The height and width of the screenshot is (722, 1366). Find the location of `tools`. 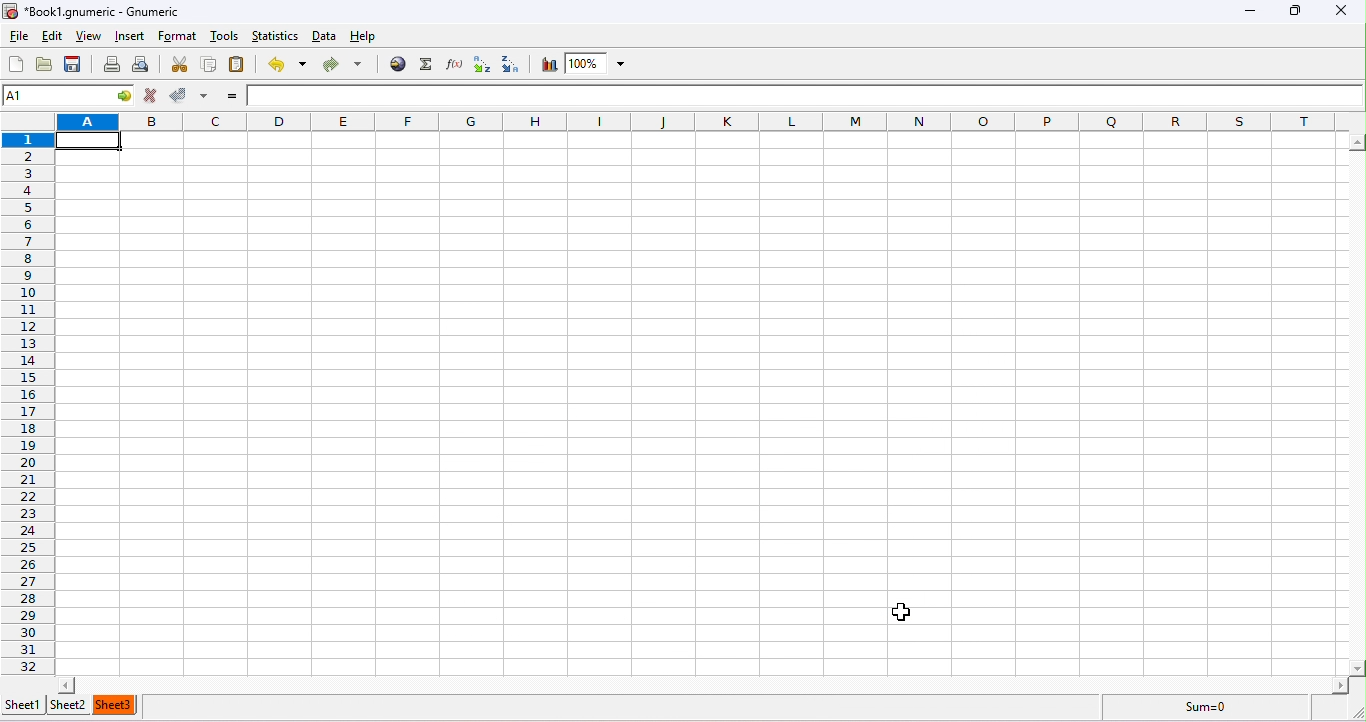

tools is located at coordinates (227, 37).